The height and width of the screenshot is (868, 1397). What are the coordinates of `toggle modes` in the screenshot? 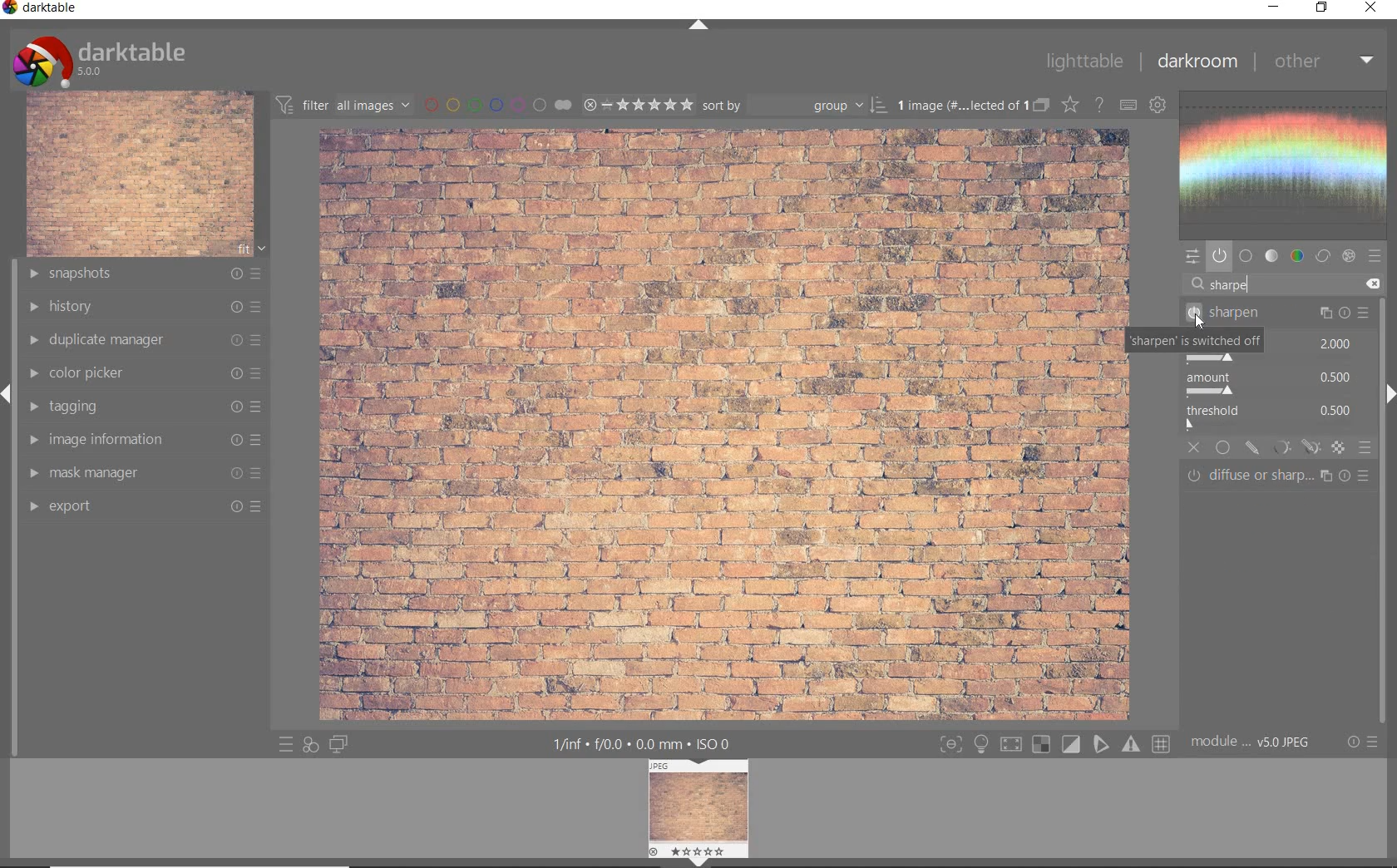 It's located at (1054, 742).